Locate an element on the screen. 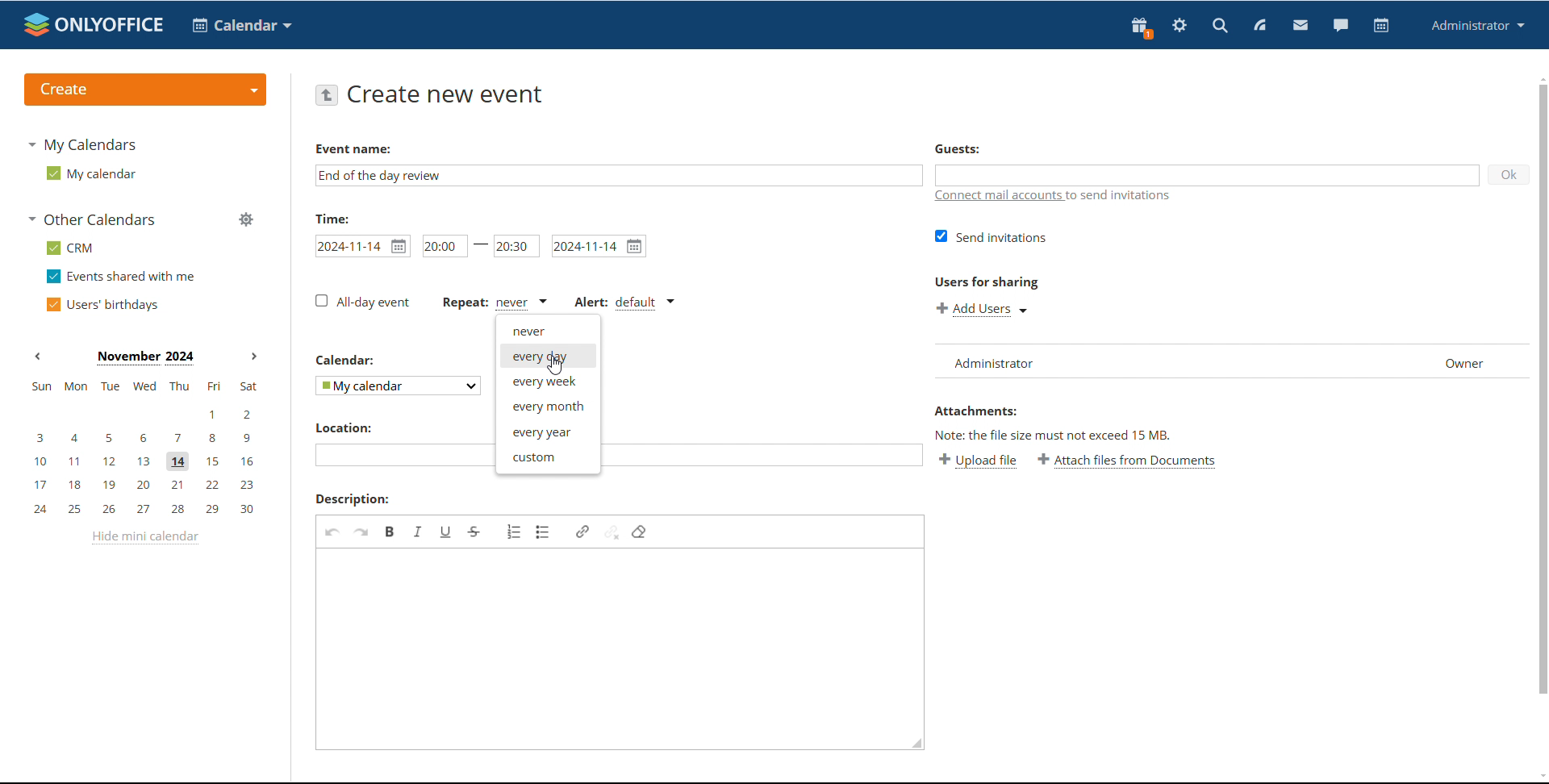  hide mini calendar is located at coordinates (144, 537).